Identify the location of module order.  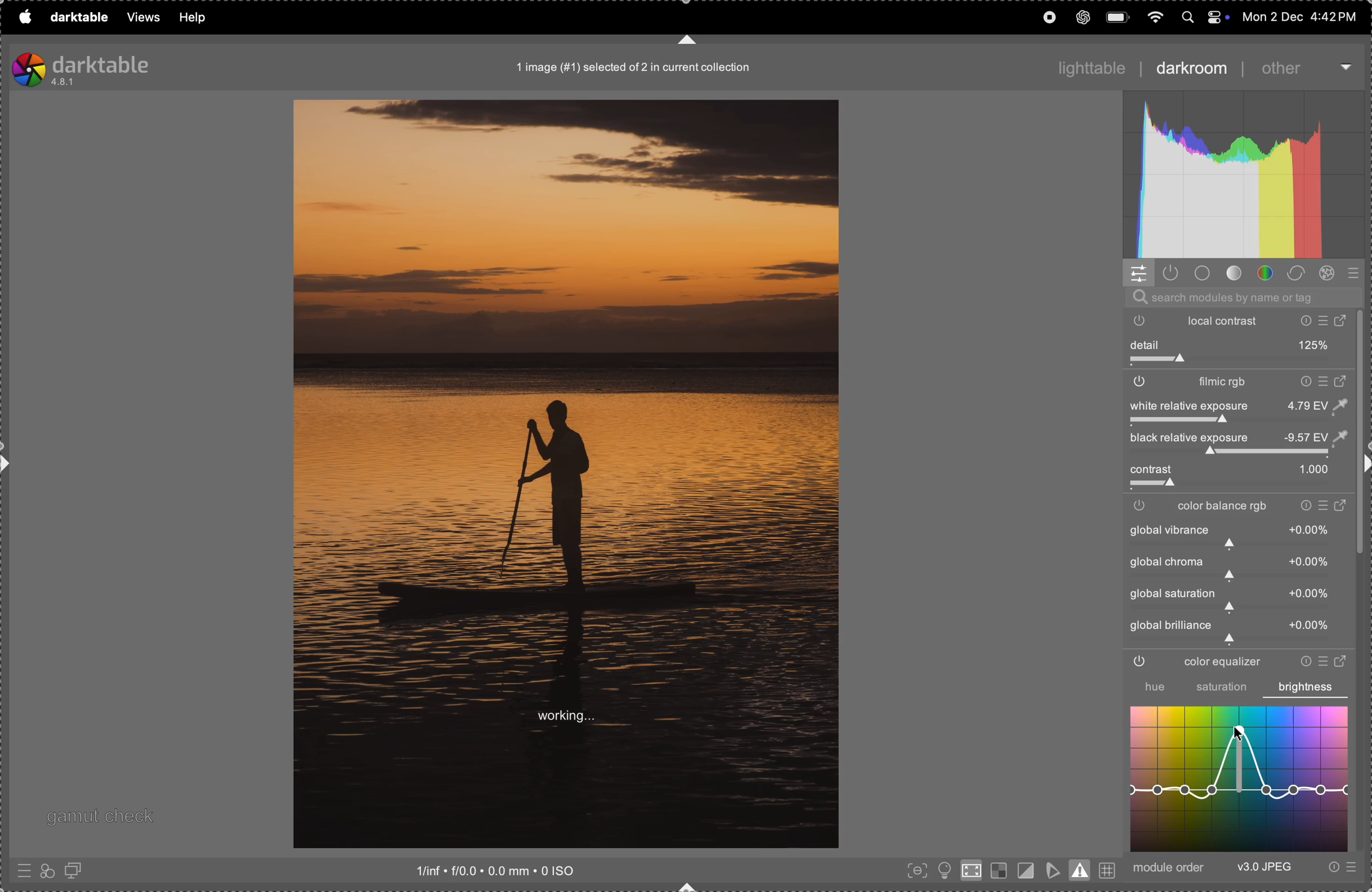
(1171, 868).